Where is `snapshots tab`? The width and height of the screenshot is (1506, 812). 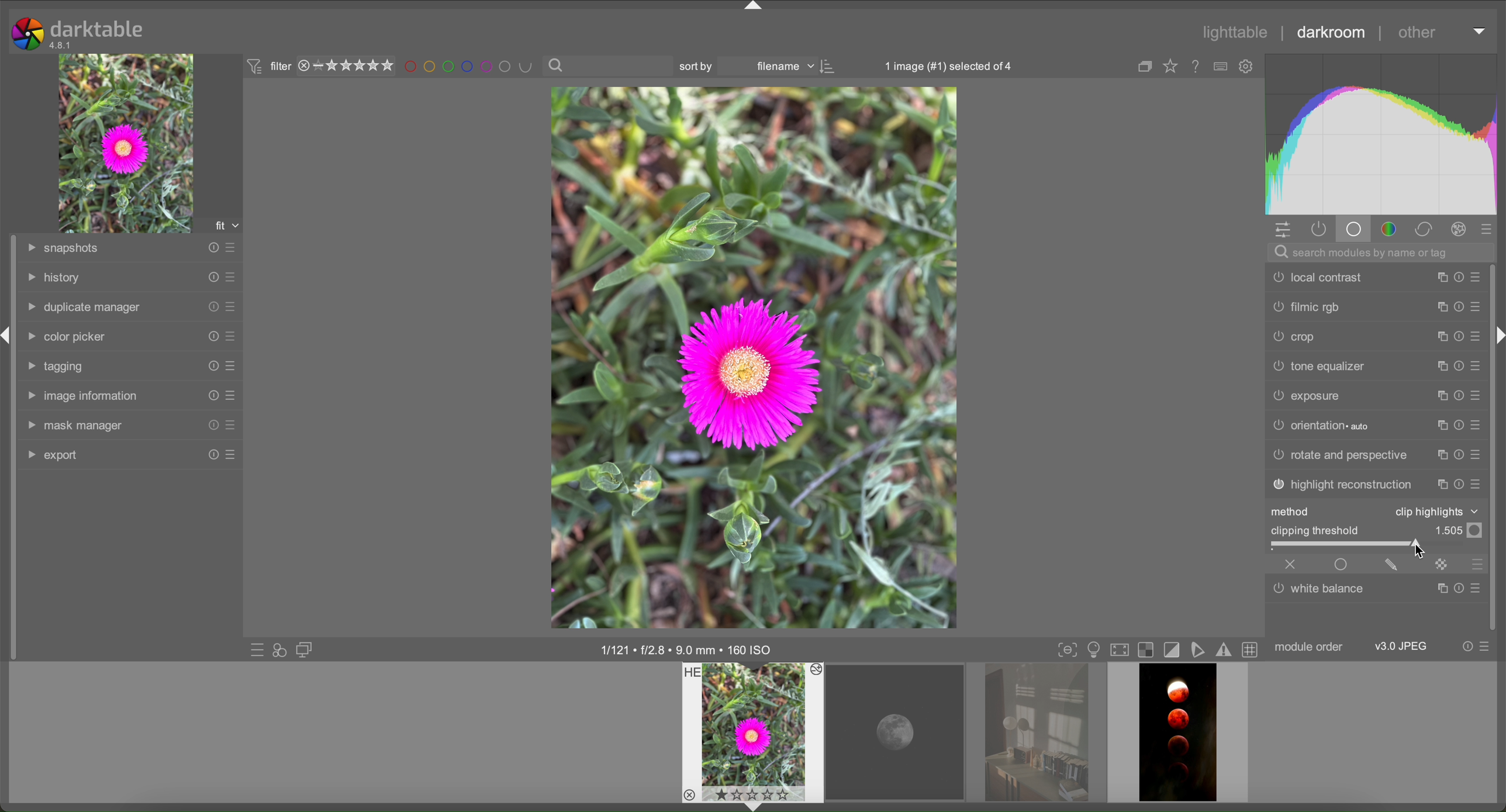 snapshots tab is located at coordinates (63, 247).